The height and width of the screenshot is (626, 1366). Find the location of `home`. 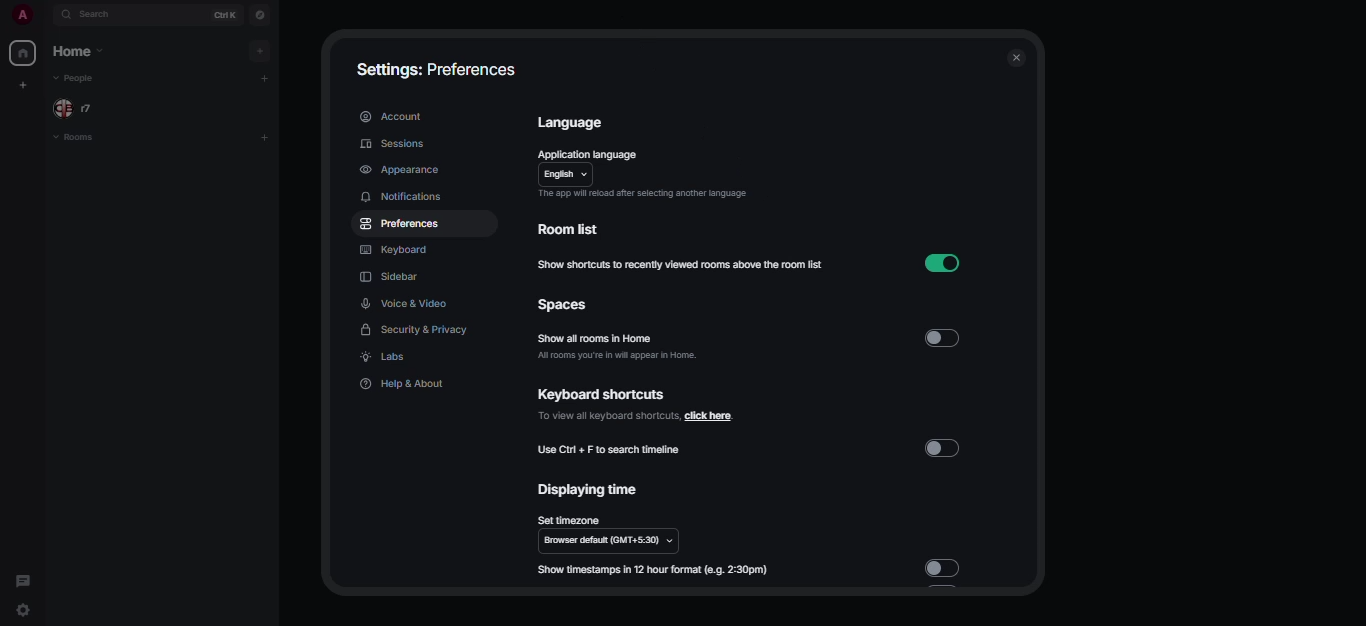

home is located at coordinates (84, 51).